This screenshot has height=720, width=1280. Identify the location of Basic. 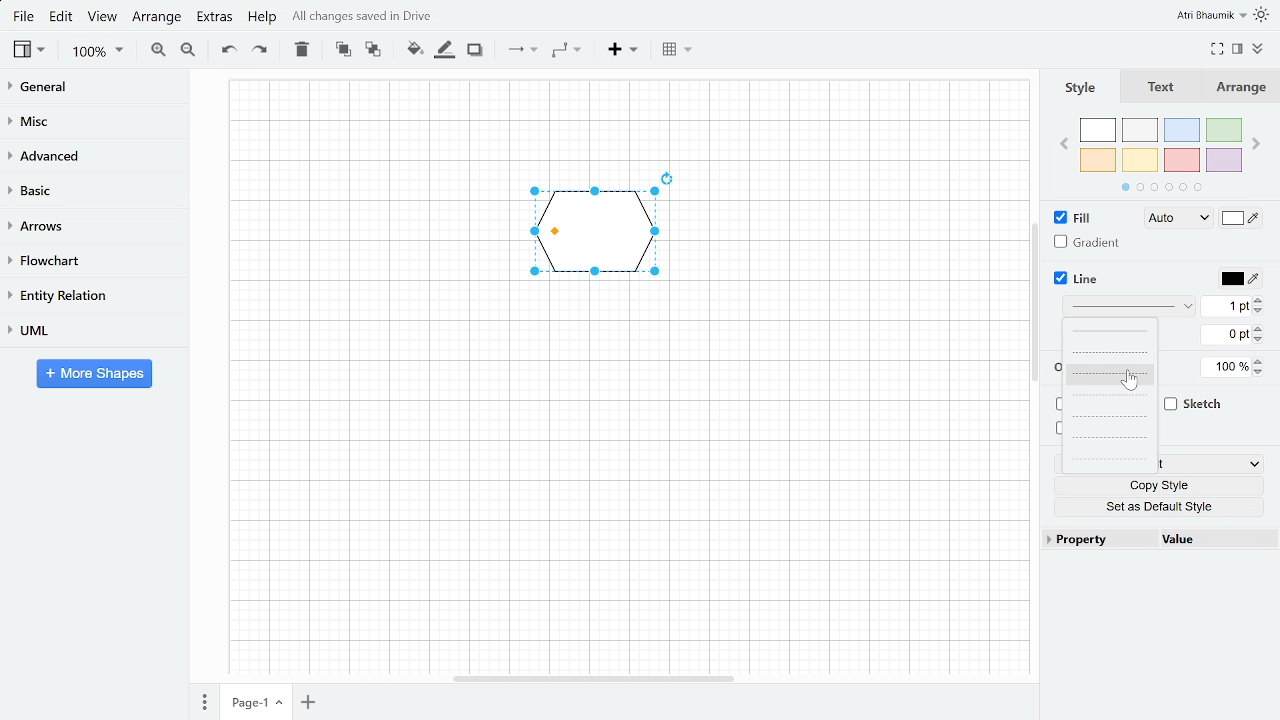
(93, 190).